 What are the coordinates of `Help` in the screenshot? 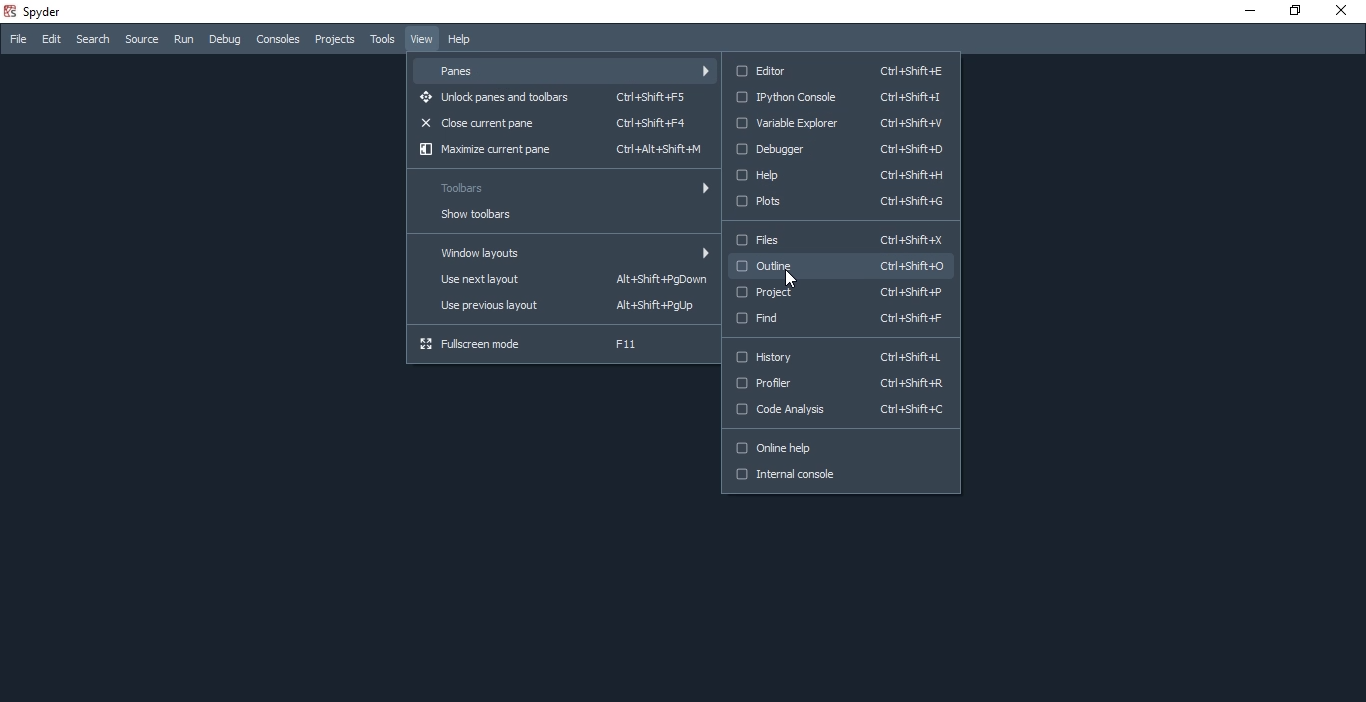 It's located at (464, 39).